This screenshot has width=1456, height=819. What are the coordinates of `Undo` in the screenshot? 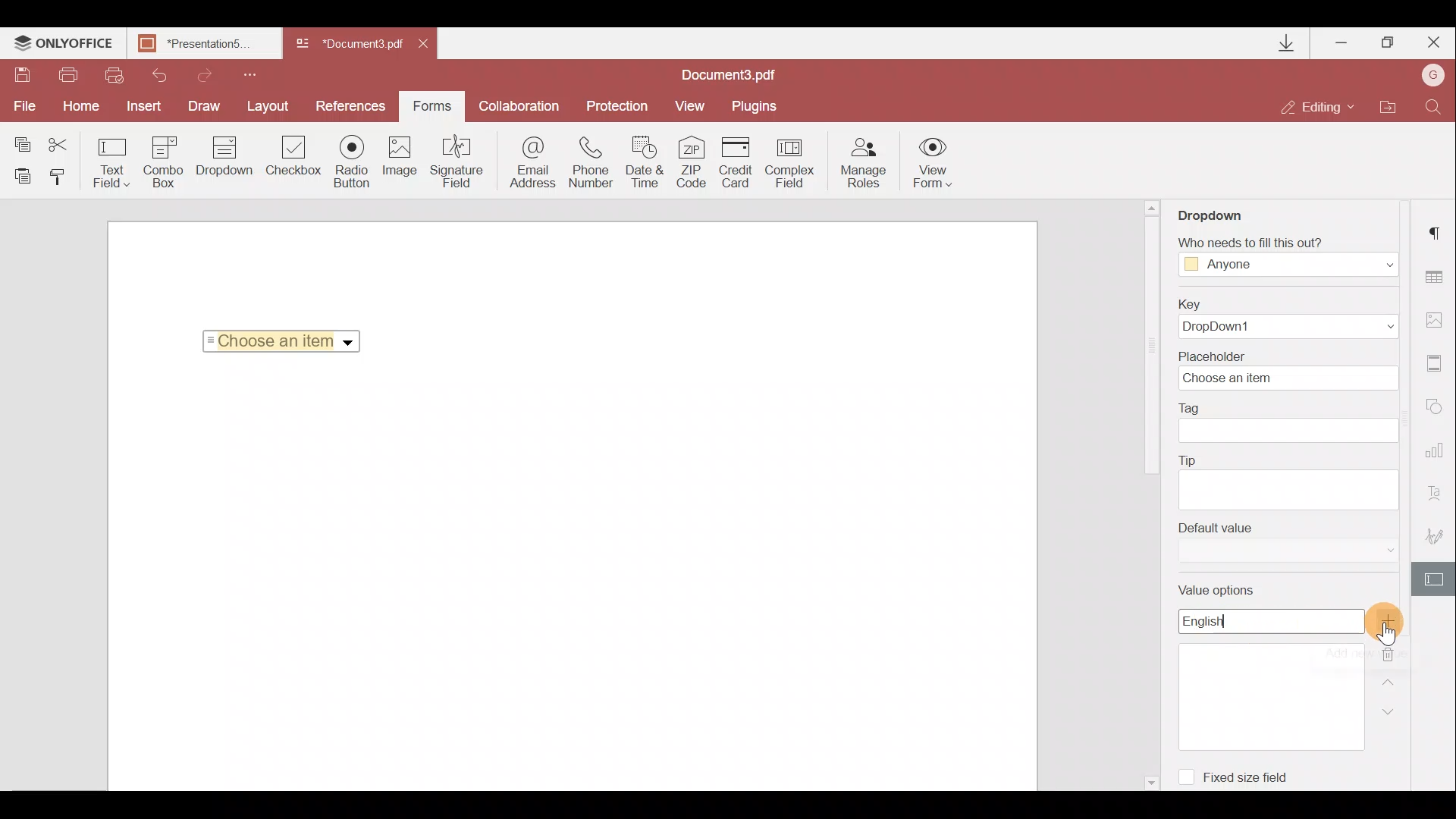 It's located at (153, 73).